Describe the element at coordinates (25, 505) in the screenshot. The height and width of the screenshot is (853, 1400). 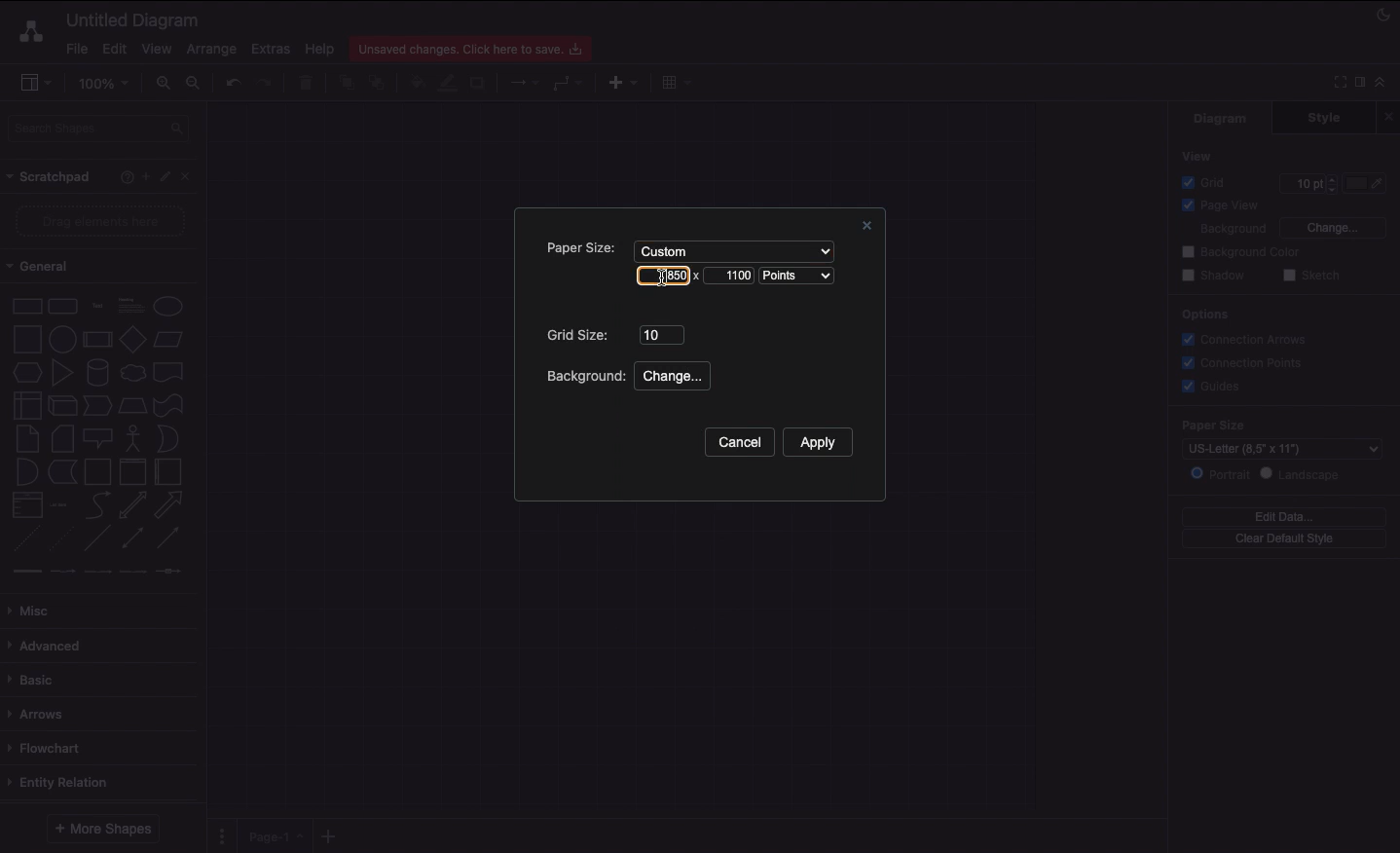
I see `List` at that location.